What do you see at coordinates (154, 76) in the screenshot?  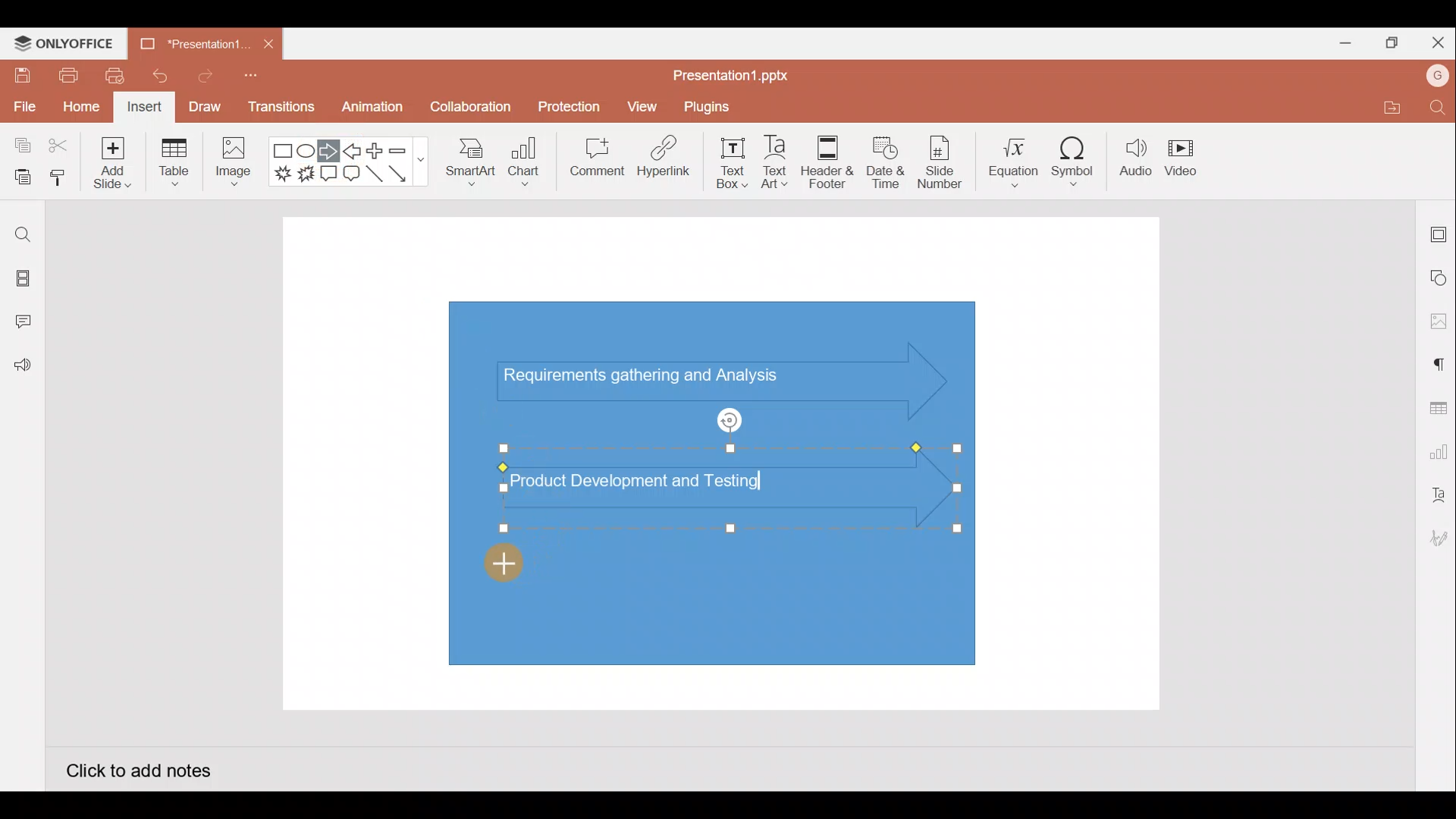 I see `Undo` at bounding box center [154, 76].